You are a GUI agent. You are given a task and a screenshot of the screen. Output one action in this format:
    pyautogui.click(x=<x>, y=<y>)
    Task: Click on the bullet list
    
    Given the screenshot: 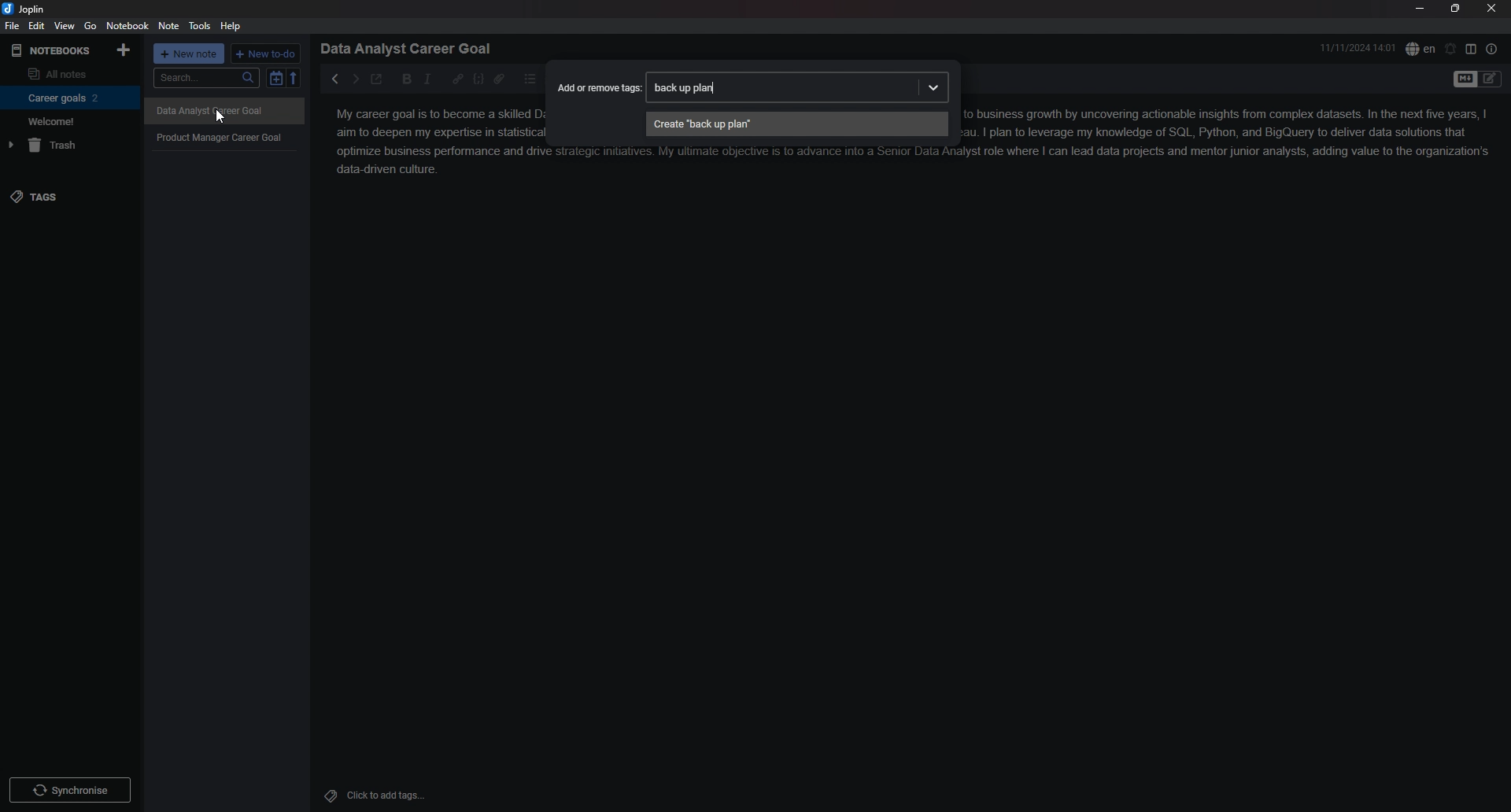 What is the action you would take?
    pyautogui.click(x=530, y=79)
    